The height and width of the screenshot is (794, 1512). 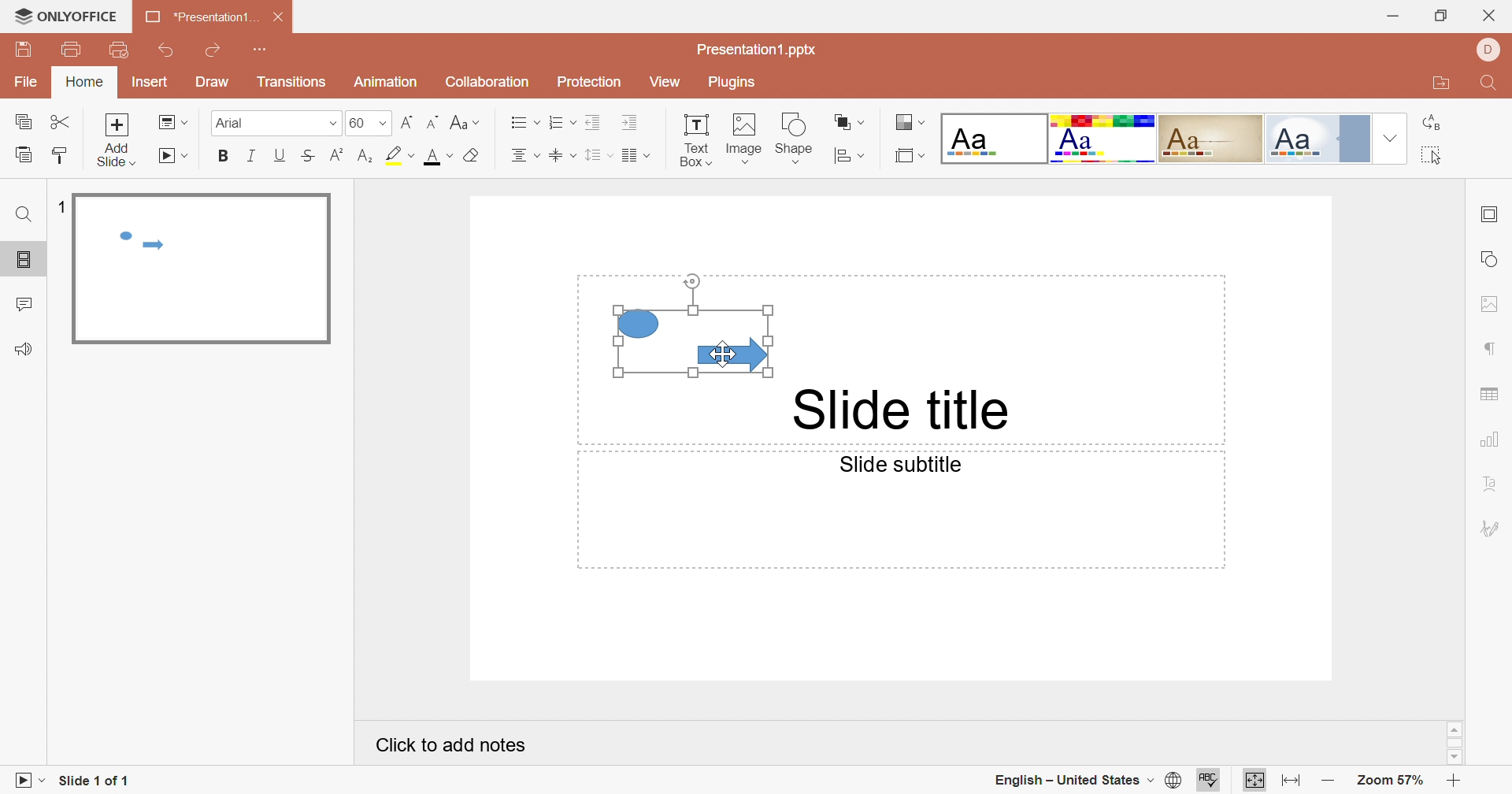 What do you see at coordinates (758, 50) in the screenshot?
I see `Presentation1.pptx` at bounding box center [758, 50].